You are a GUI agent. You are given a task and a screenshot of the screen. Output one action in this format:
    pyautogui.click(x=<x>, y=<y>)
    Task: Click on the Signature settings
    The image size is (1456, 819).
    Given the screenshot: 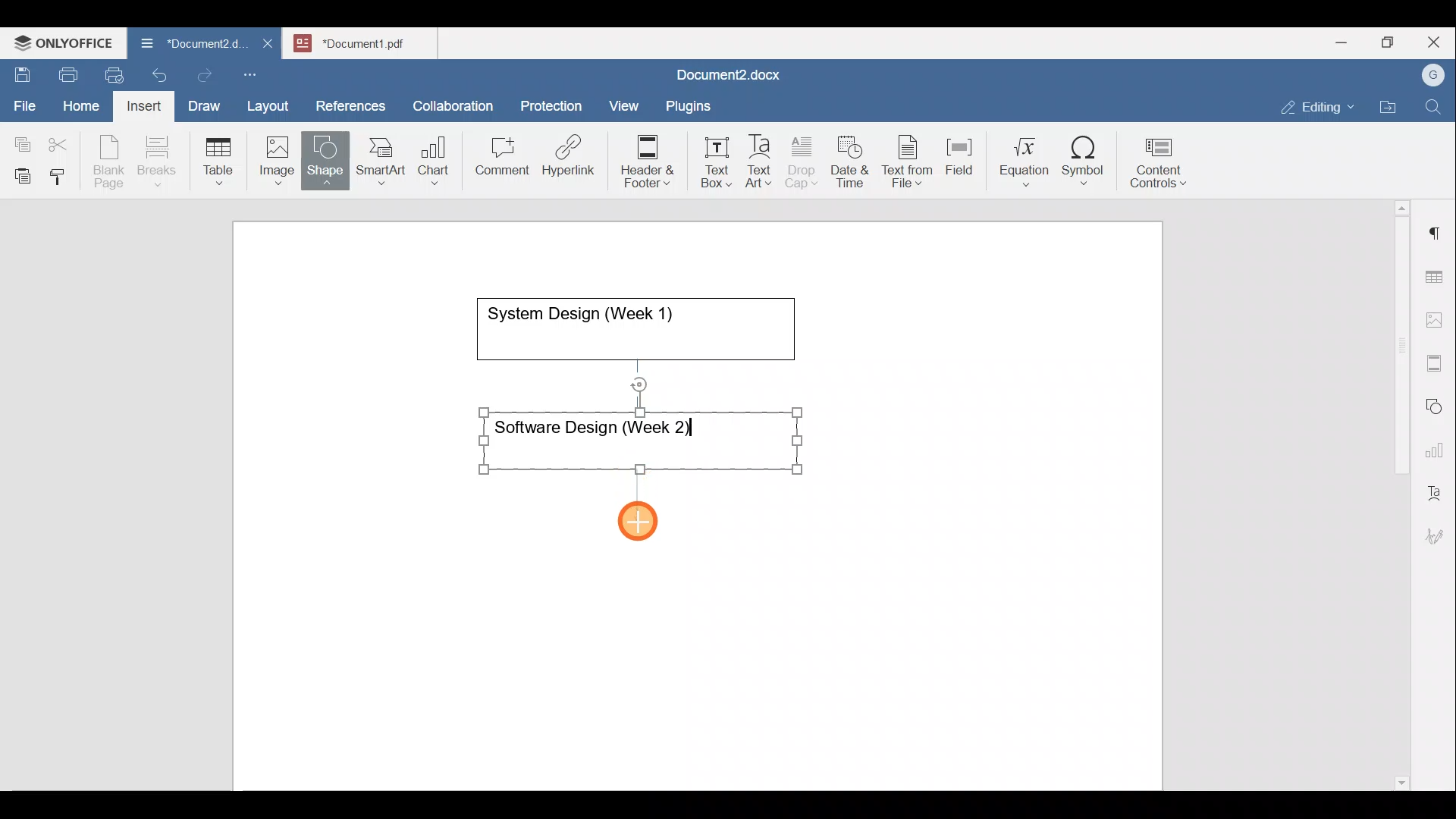 What is the action you would take?
    pyautogui.click(x=1439, y=531)
    